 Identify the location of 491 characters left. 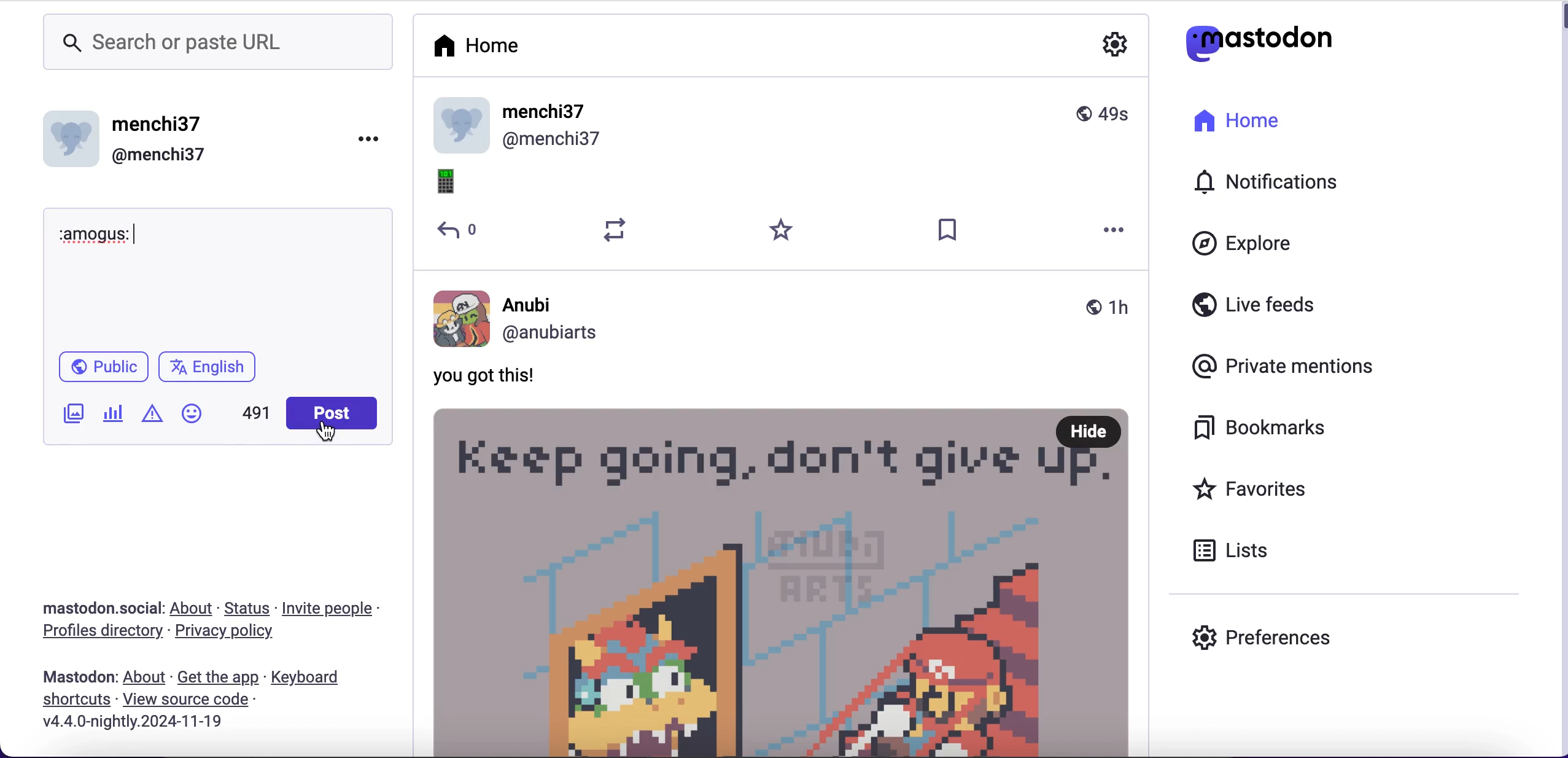
(258, 412).